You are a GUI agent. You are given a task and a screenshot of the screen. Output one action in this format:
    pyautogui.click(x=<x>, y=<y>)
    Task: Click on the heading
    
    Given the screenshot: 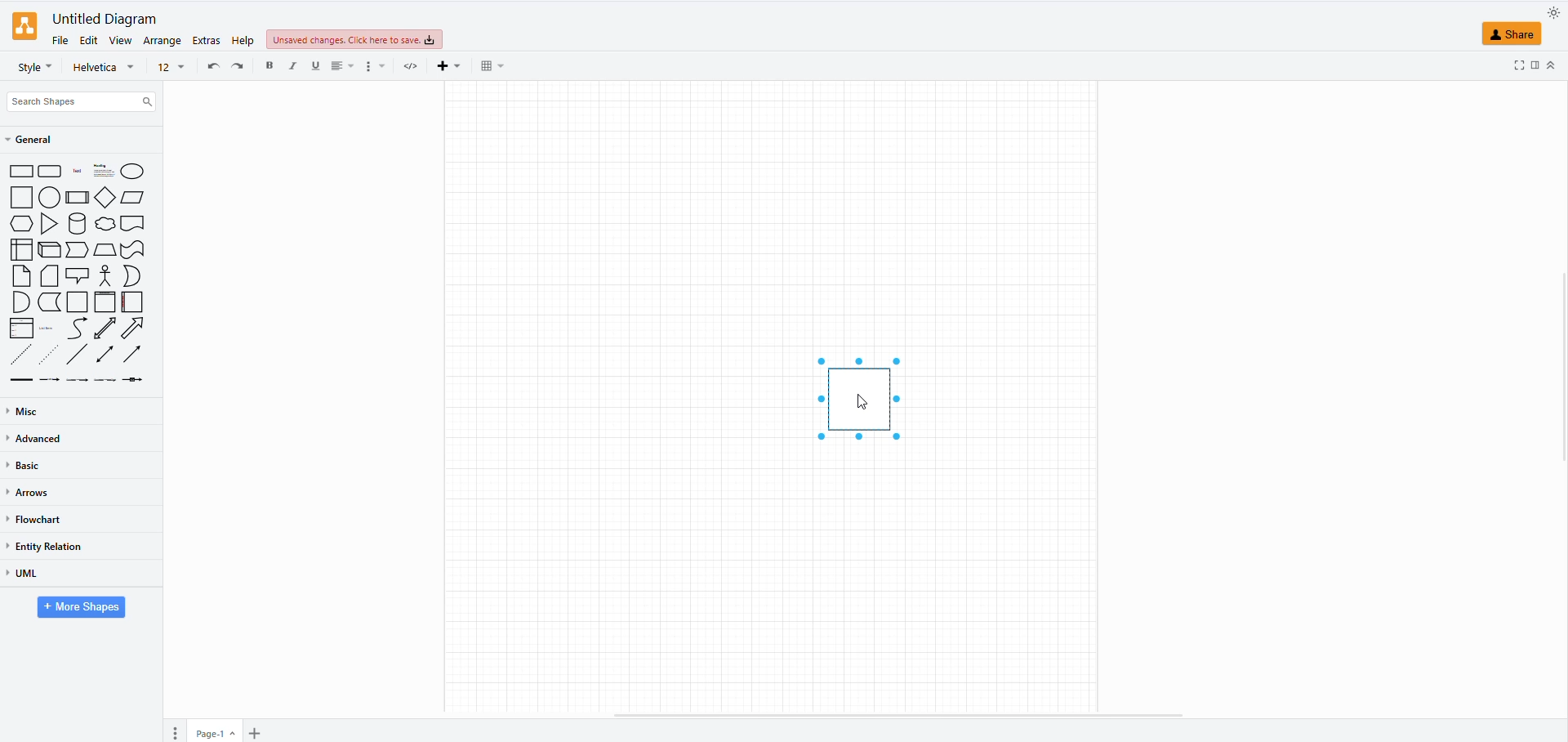 What is the action you would take?
    pyautogui.click(x=102, y=171)
    